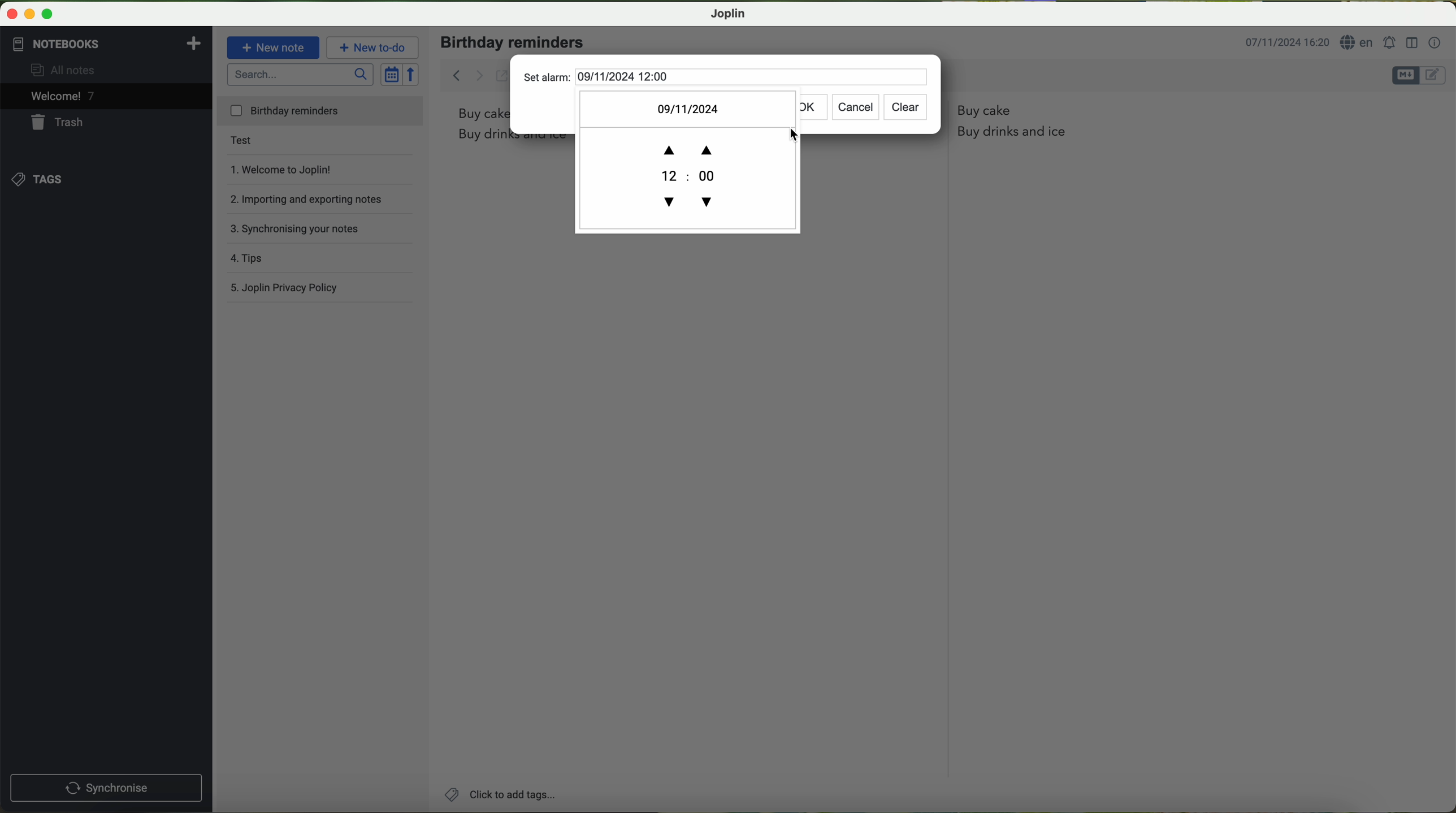 The image size is (1456, 813). Describe the element at coordinates (285, 285) in the screenshot. I see `Joplin privacy policy` at that location.